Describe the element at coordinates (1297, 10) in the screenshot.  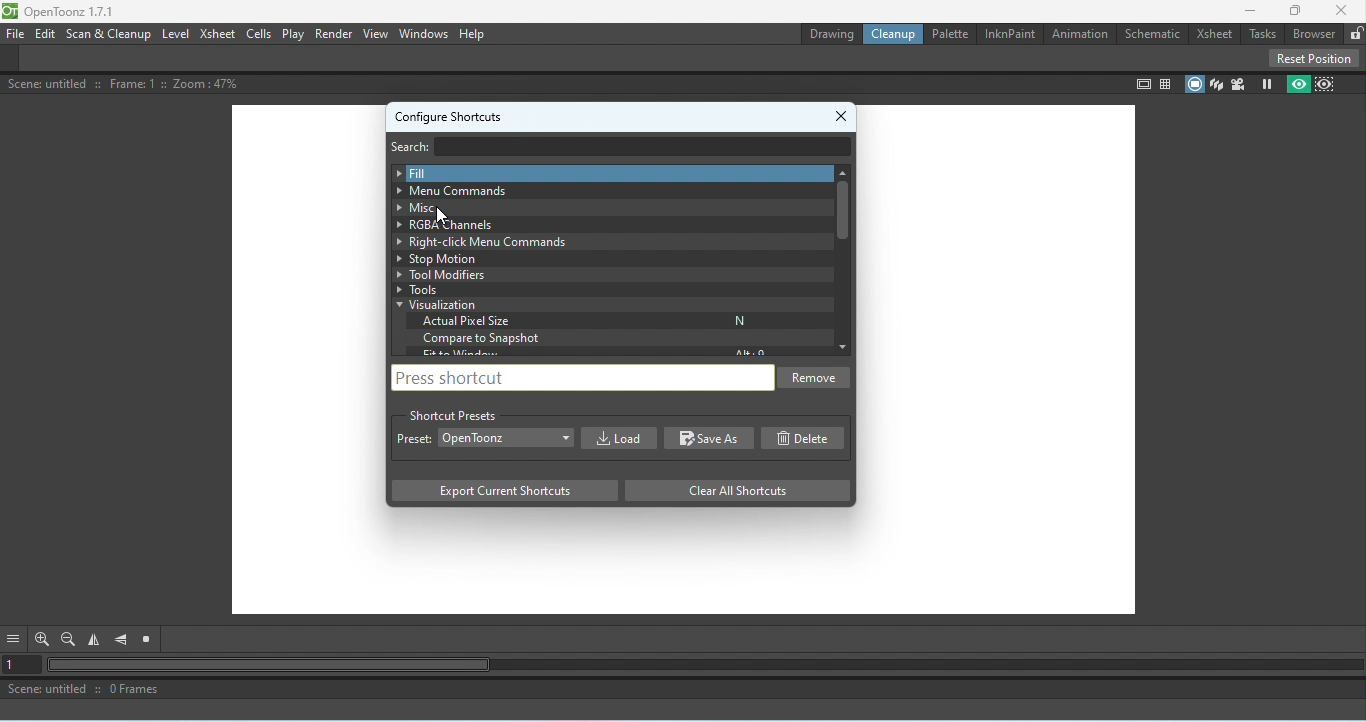
I see `Maximize` at that location.